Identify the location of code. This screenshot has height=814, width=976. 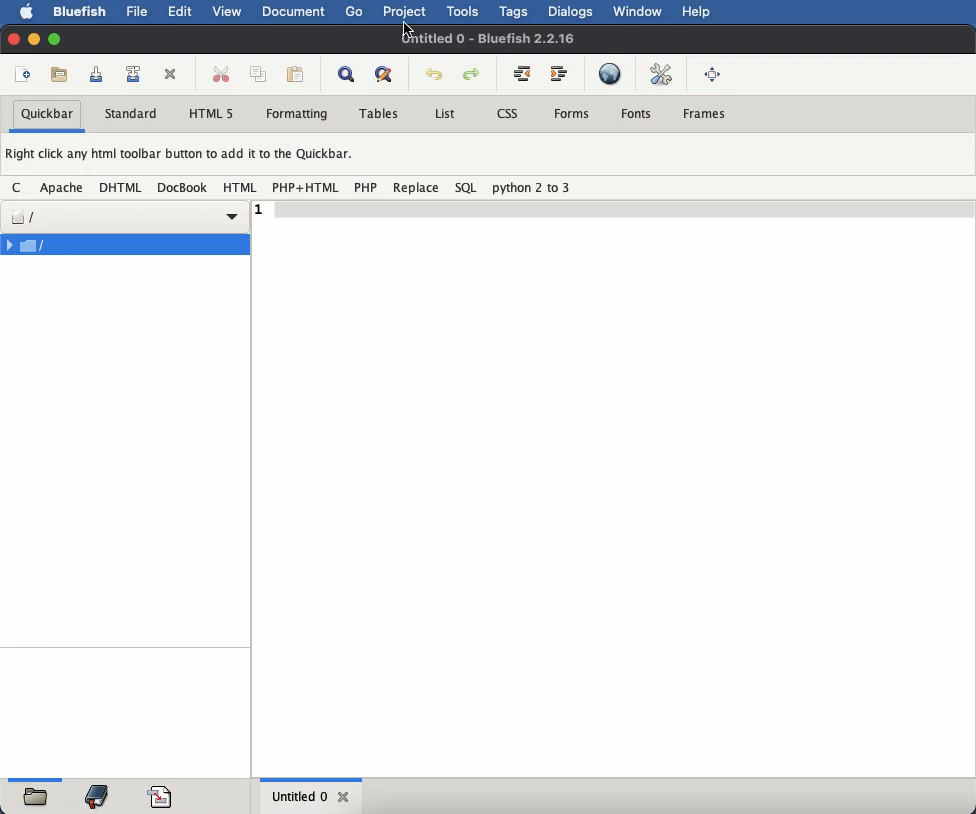
(162, 794).